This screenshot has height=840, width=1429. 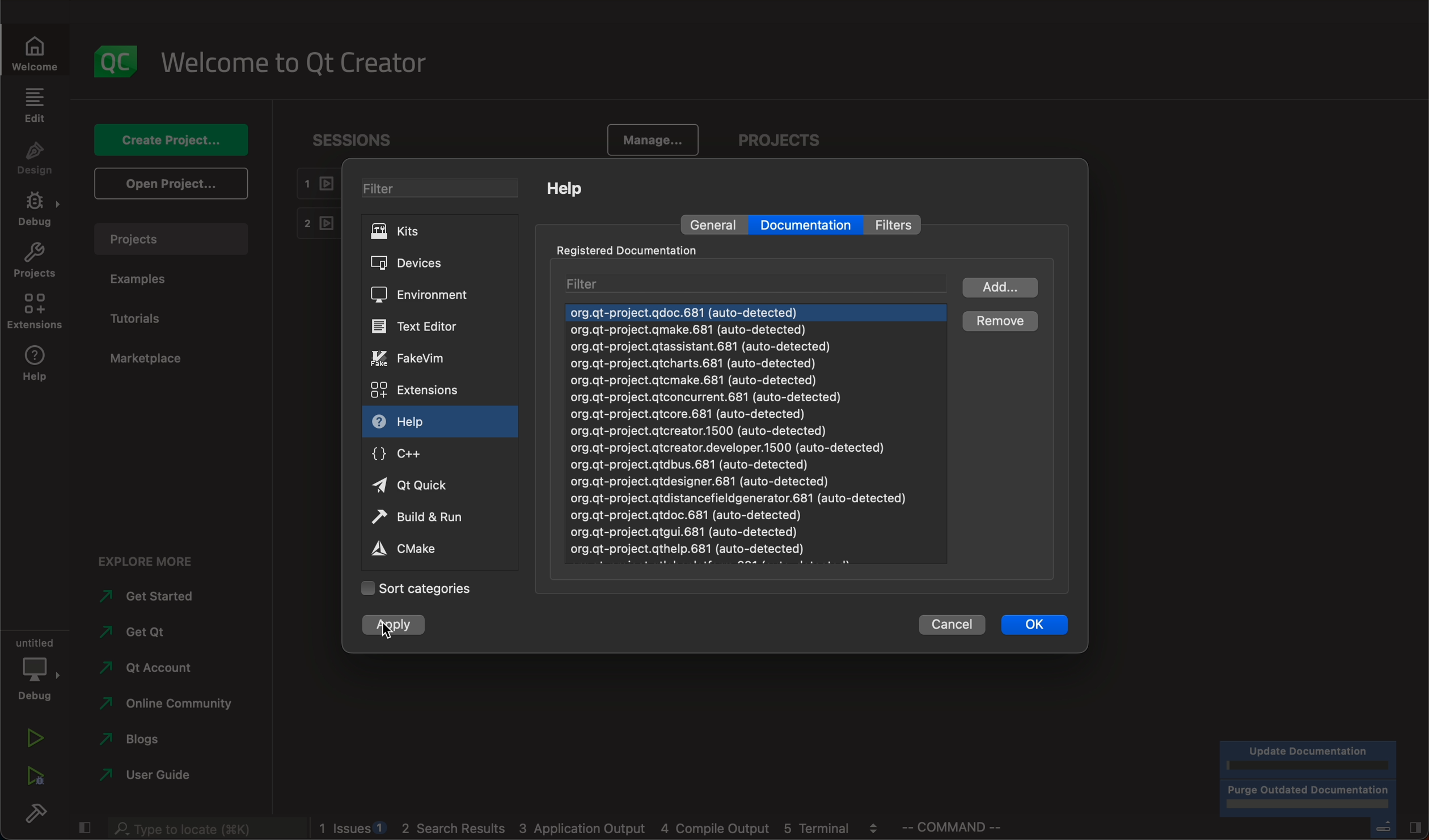 What do you see at coordinates (401, 625) in the screenshot?
I see `clicked` at bounding box center [401, 625].